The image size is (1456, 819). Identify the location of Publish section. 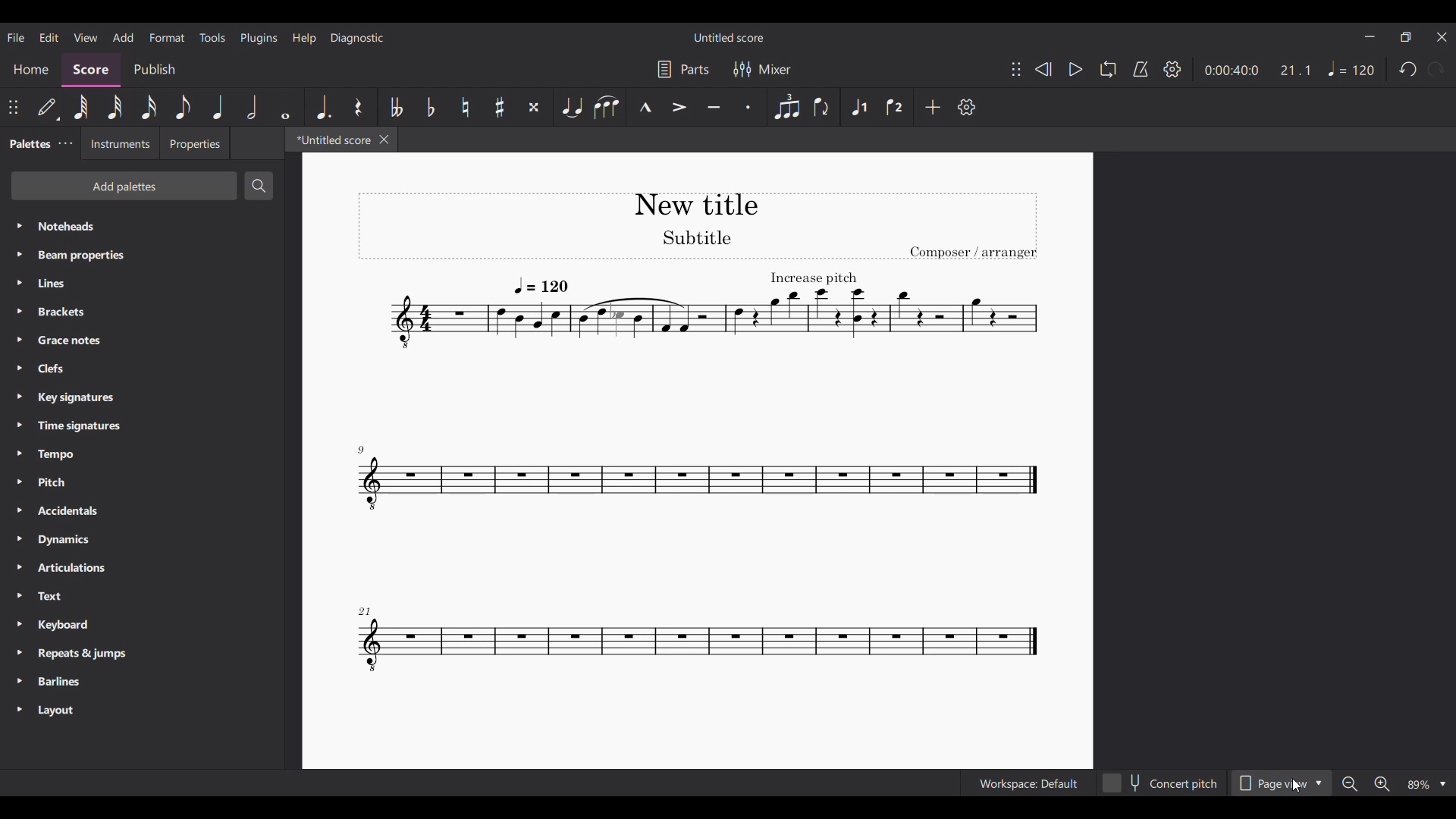
(153, 70).